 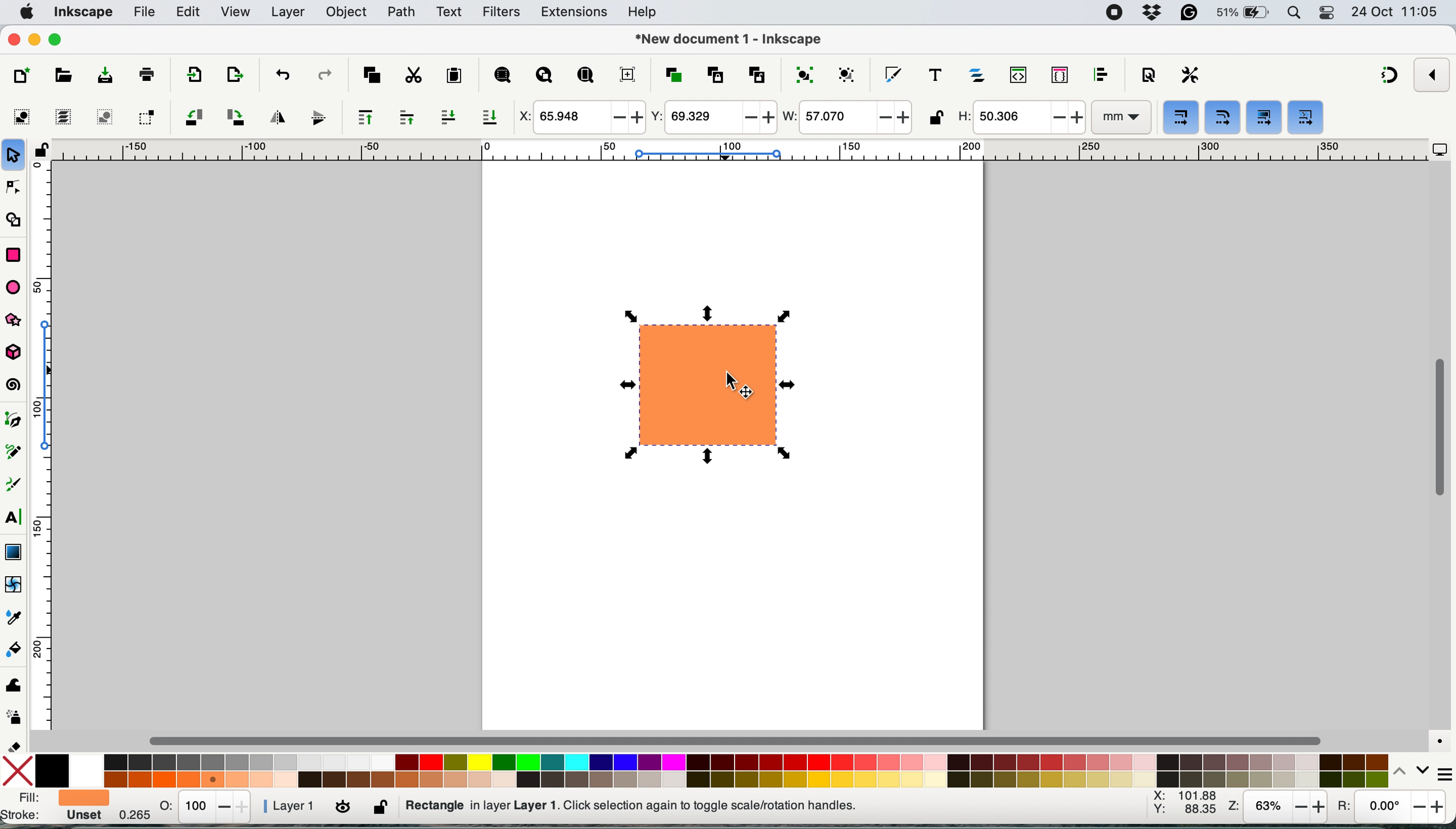 I want to click on import, so click(x=191, y=76).